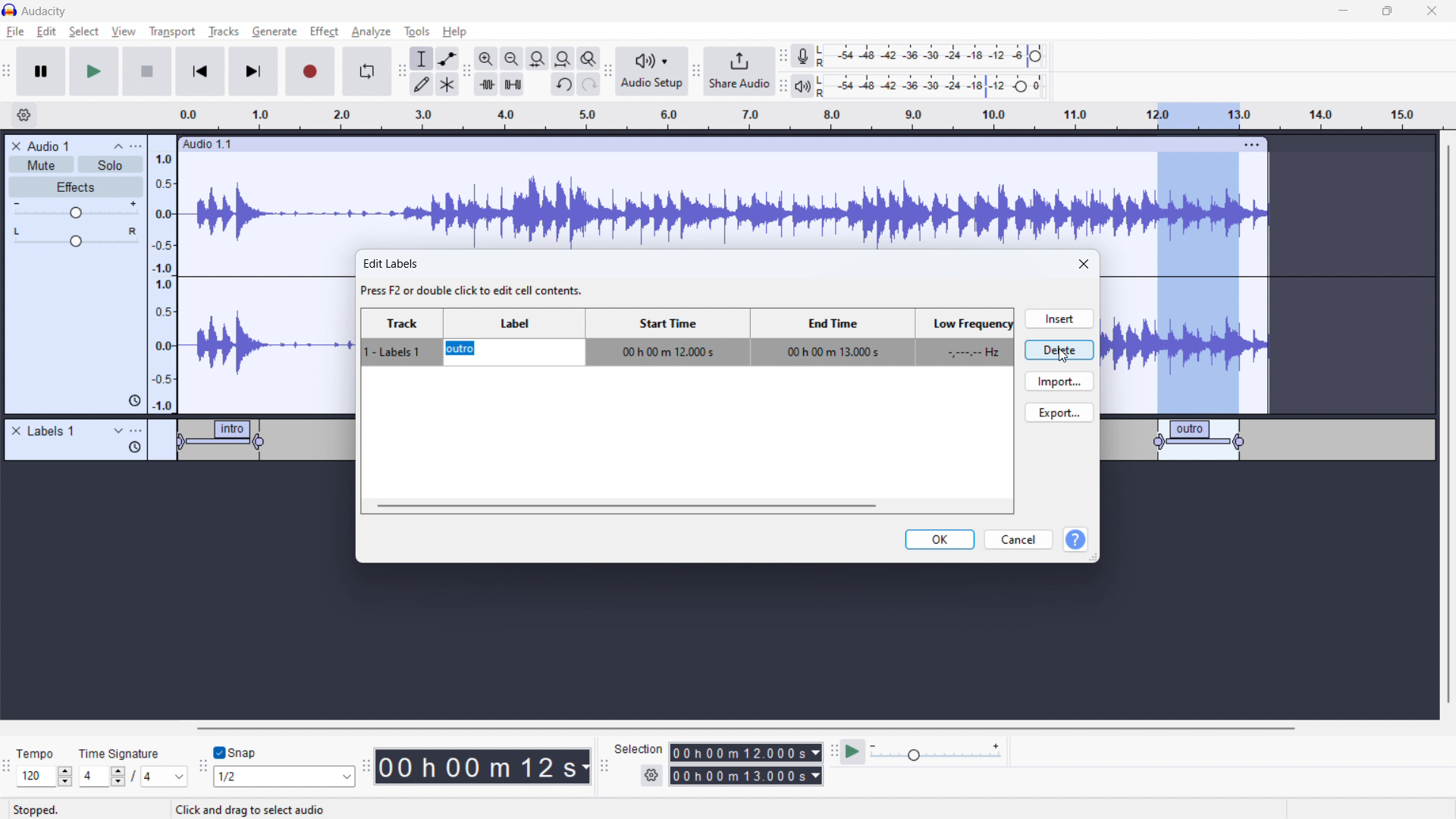  I want to click on labels, so click(52, 431).